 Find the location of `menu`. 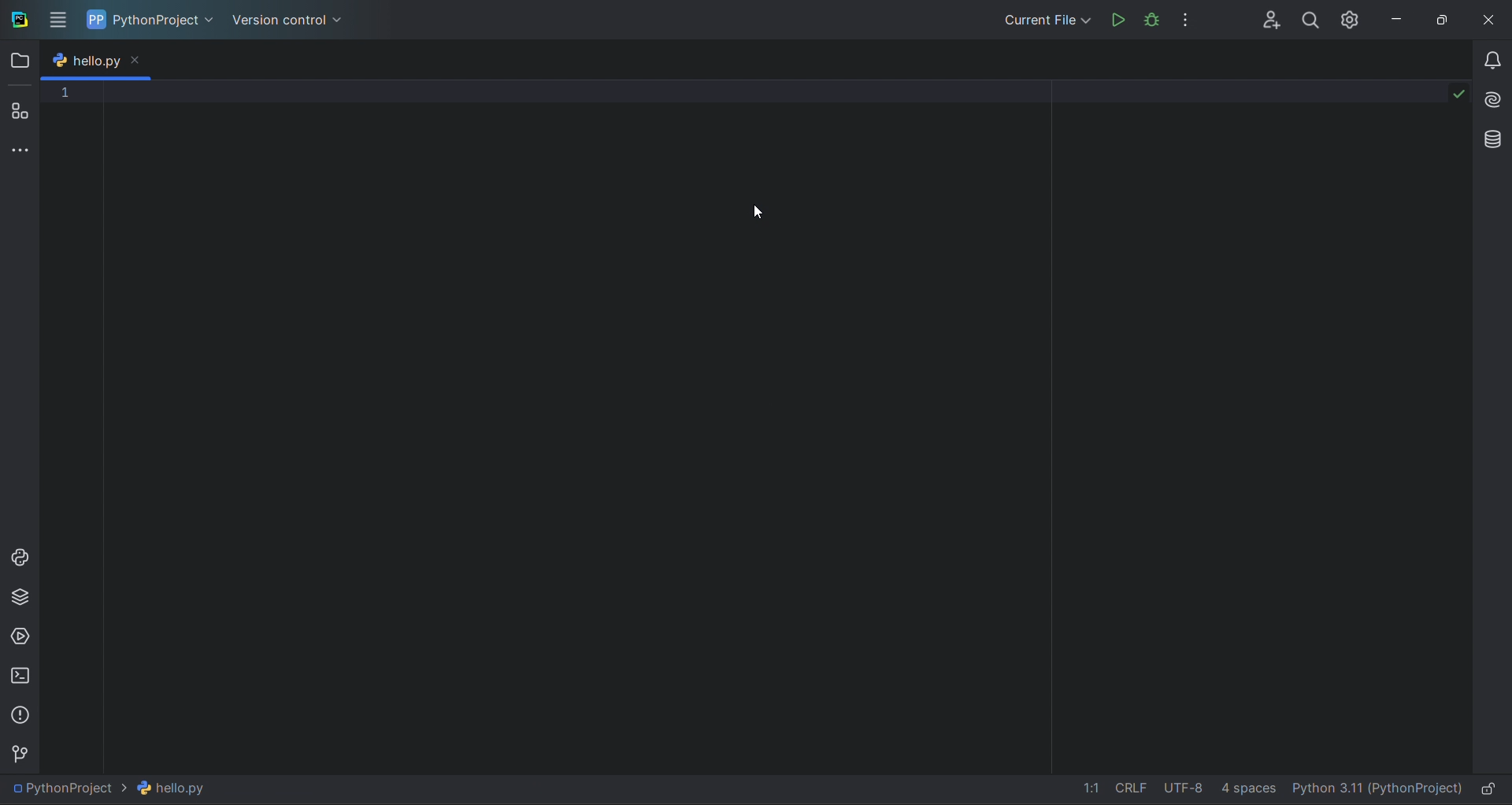

menu is located at coordinates (57, 20).